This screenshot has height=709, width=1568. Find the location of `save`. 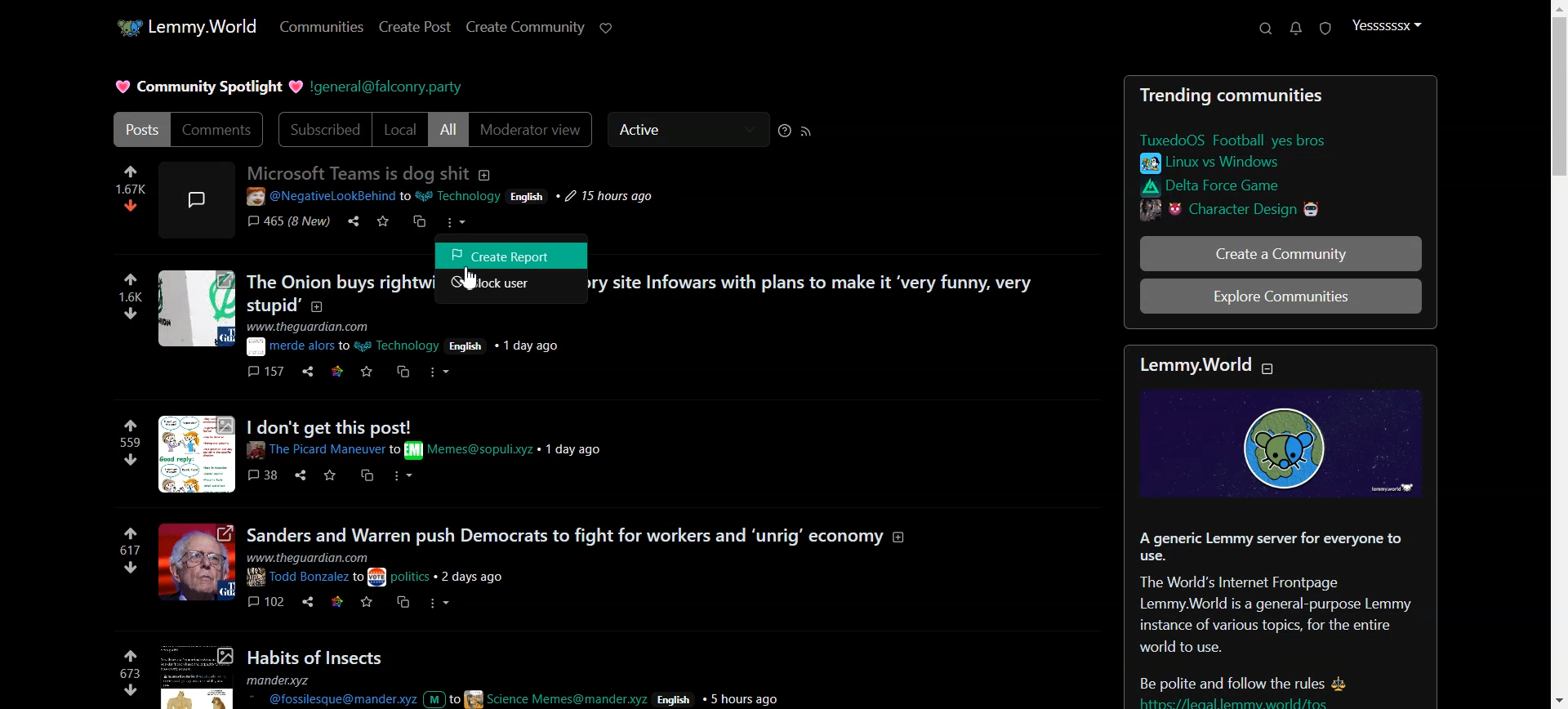

save is located at coordinates (385, 224).